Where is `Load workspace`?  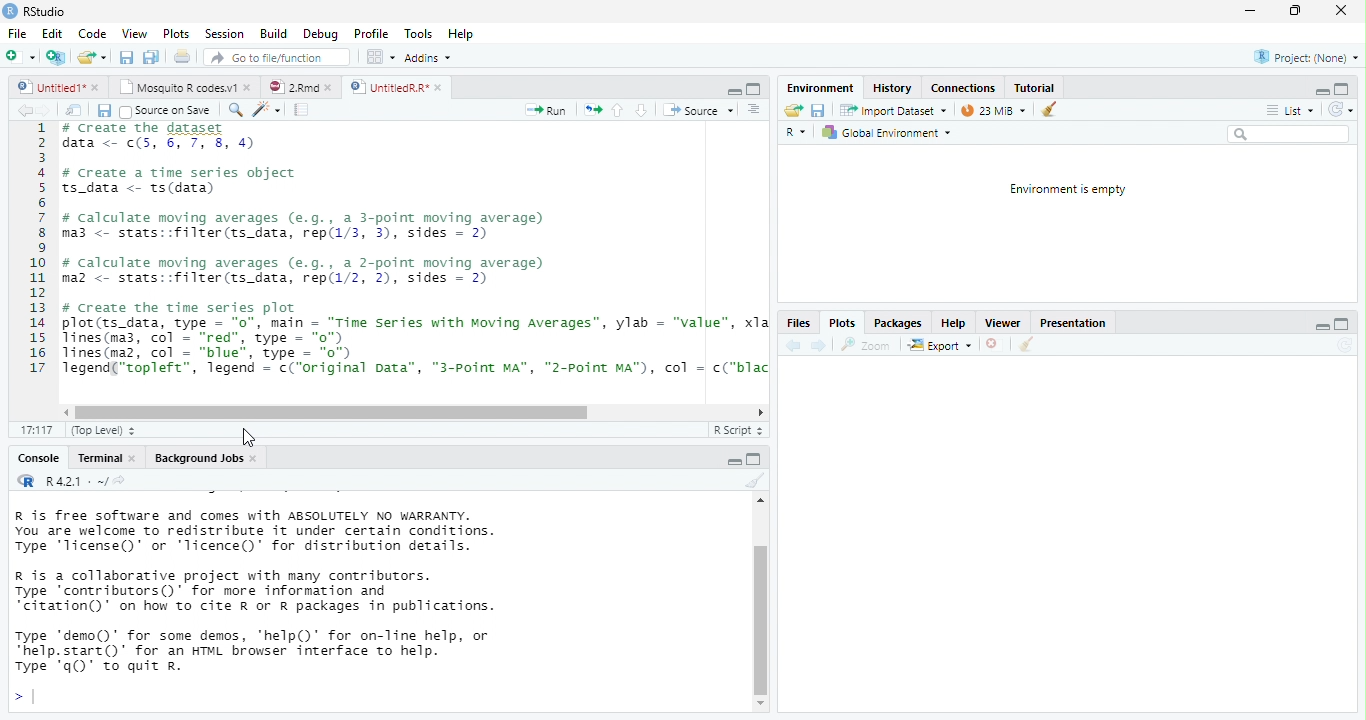
Load workspace is located at coordinates (793, 111).